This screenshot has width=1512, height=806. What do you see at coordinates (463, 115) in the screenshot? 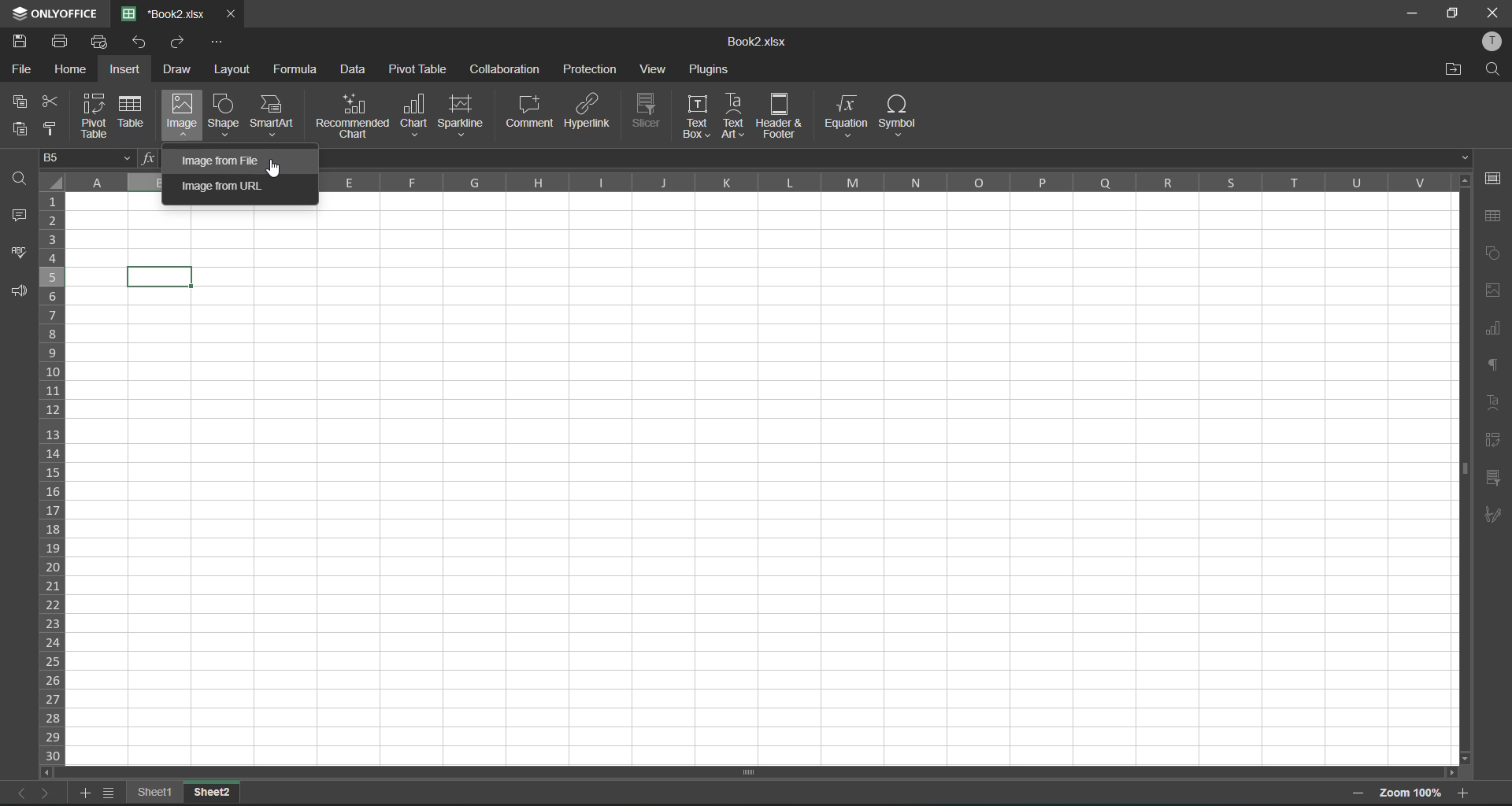
I see `sparkline` at bounding box center [463, 115].